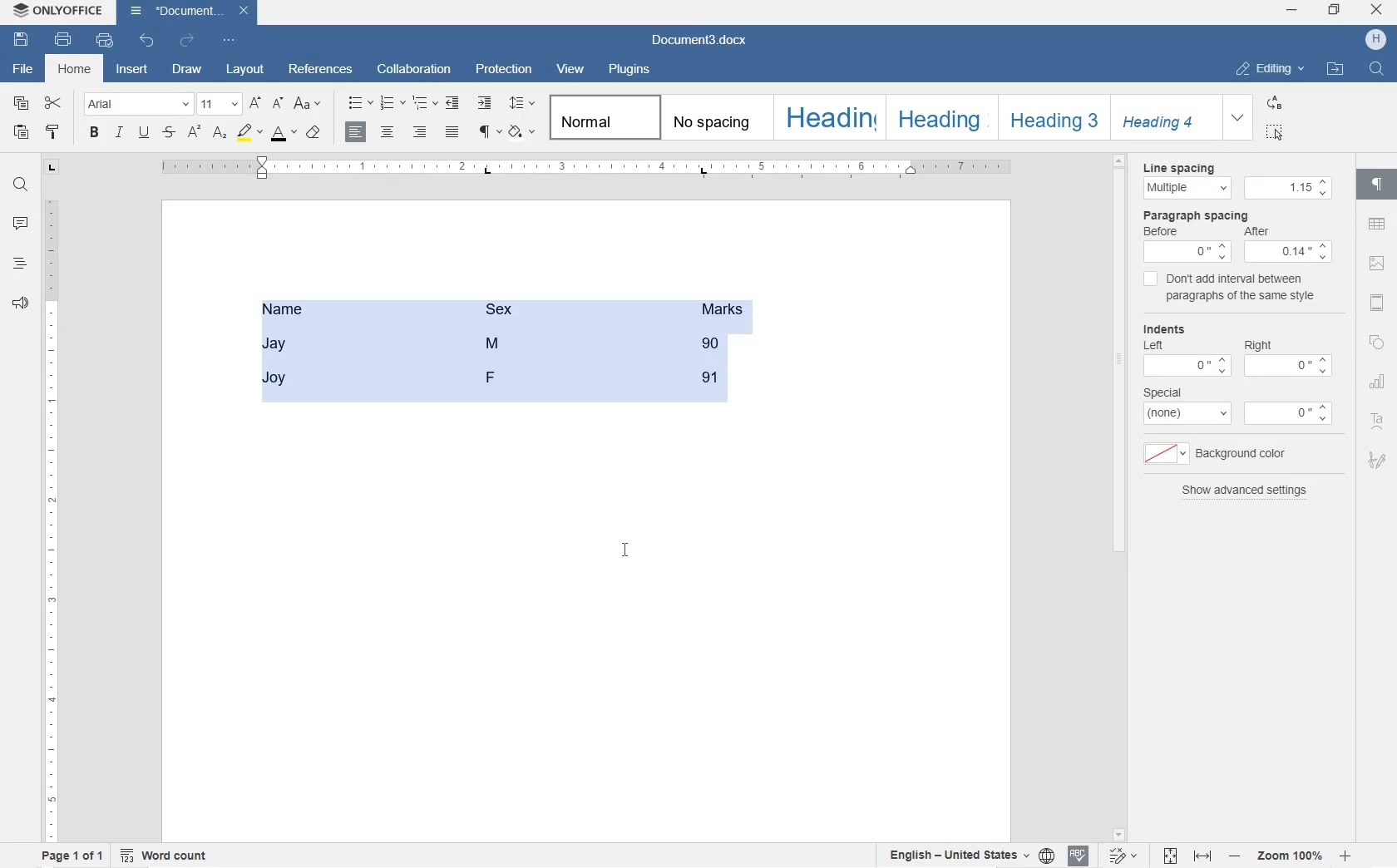 The height and width of the screenshot is (868, 1397). Describe the element at coordinates (392, 101) in the screenshot. I see `NUMBERING` at that location.